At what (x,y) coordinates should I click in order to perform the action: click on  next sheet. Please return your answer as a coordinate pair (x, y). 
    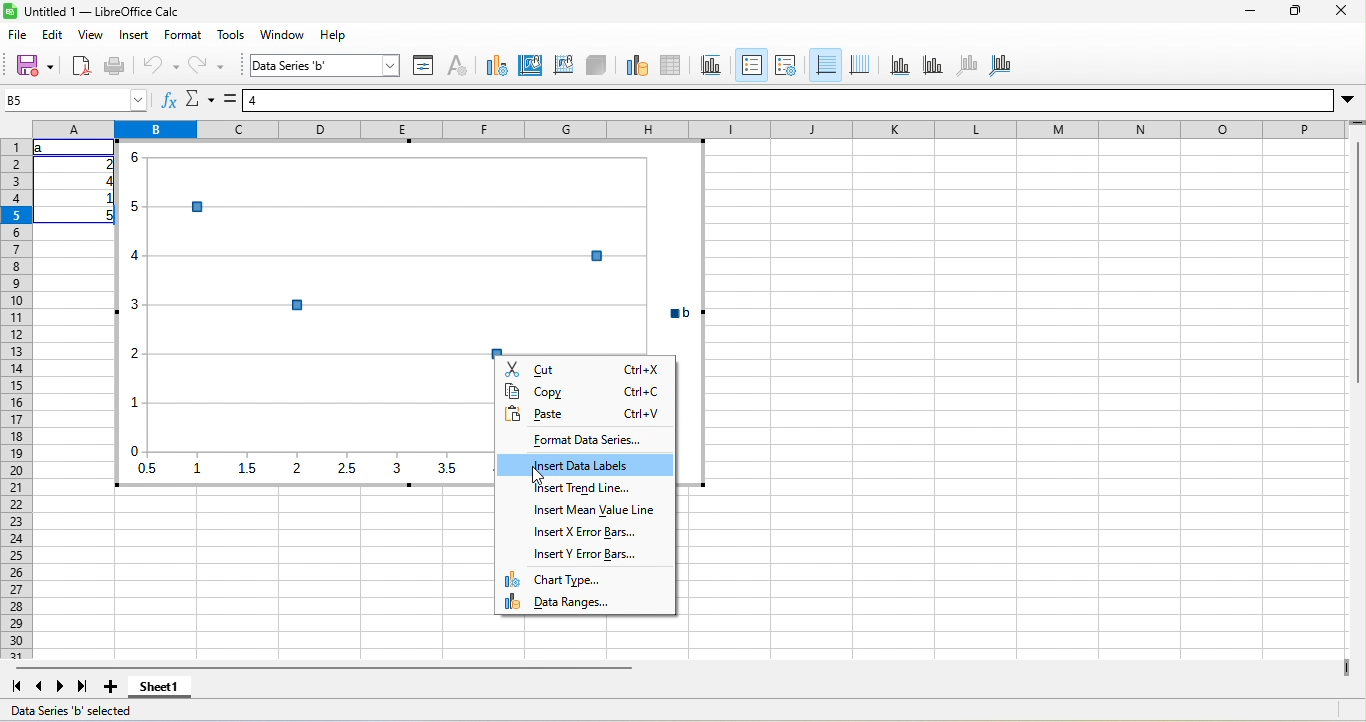
    Looking at the image, I should click on (61, 686).